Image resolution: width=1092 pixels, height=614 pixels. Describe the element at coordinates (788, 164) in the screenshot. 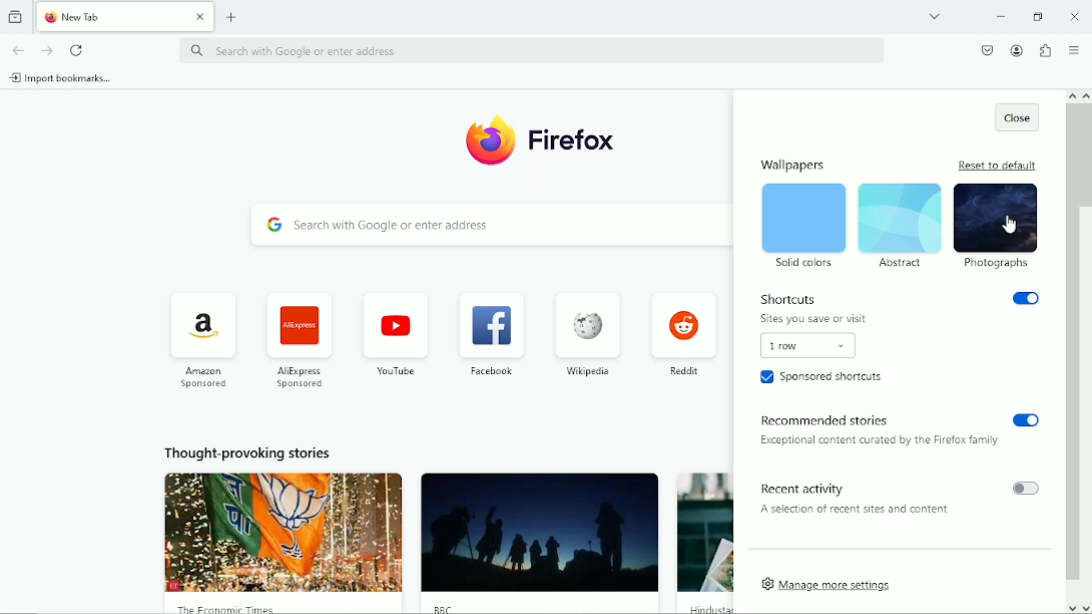

I see `wallpapers` at that location.